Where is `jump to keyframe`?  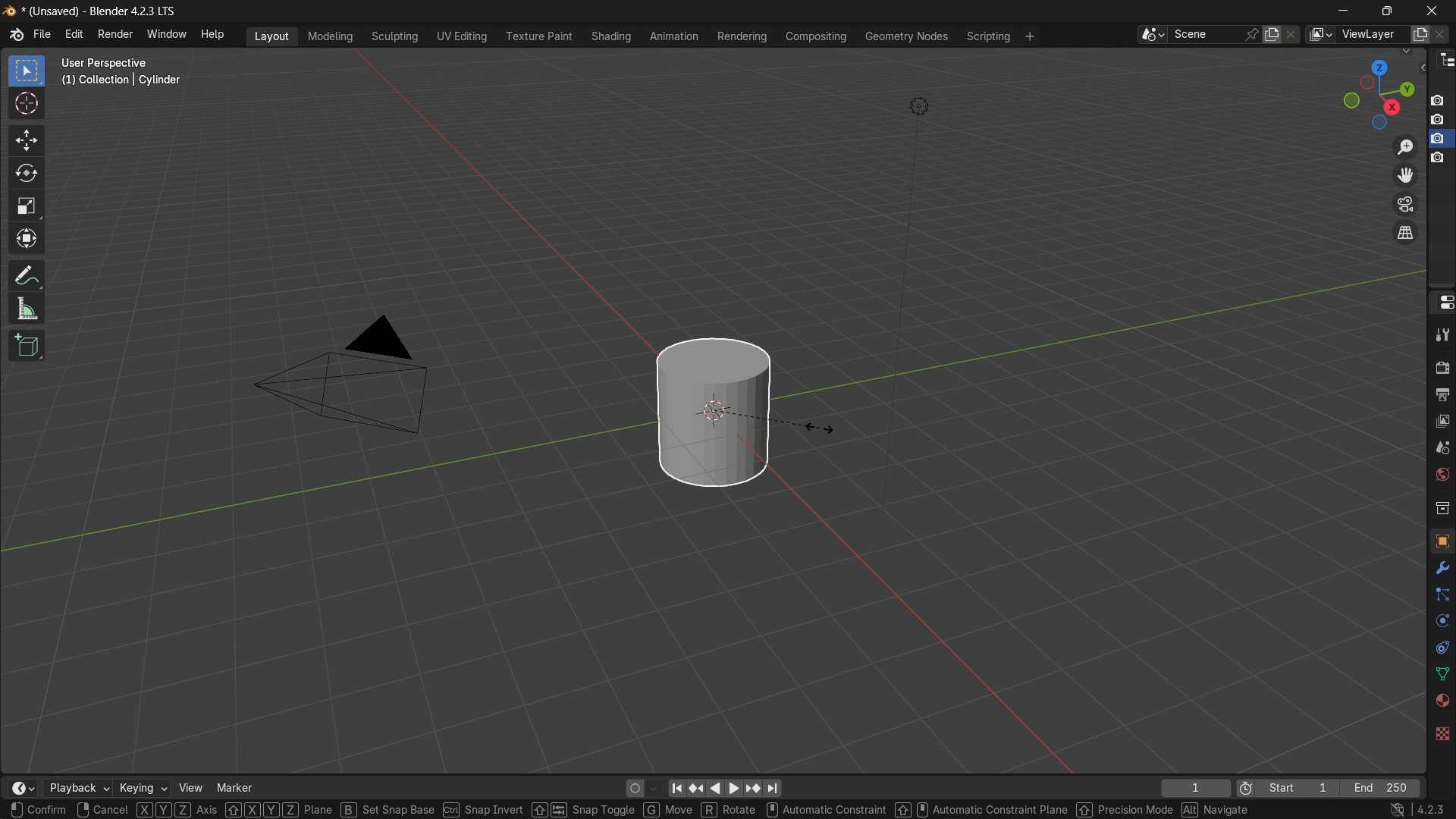
jump to keyframe is located at coordinates (753, 789).